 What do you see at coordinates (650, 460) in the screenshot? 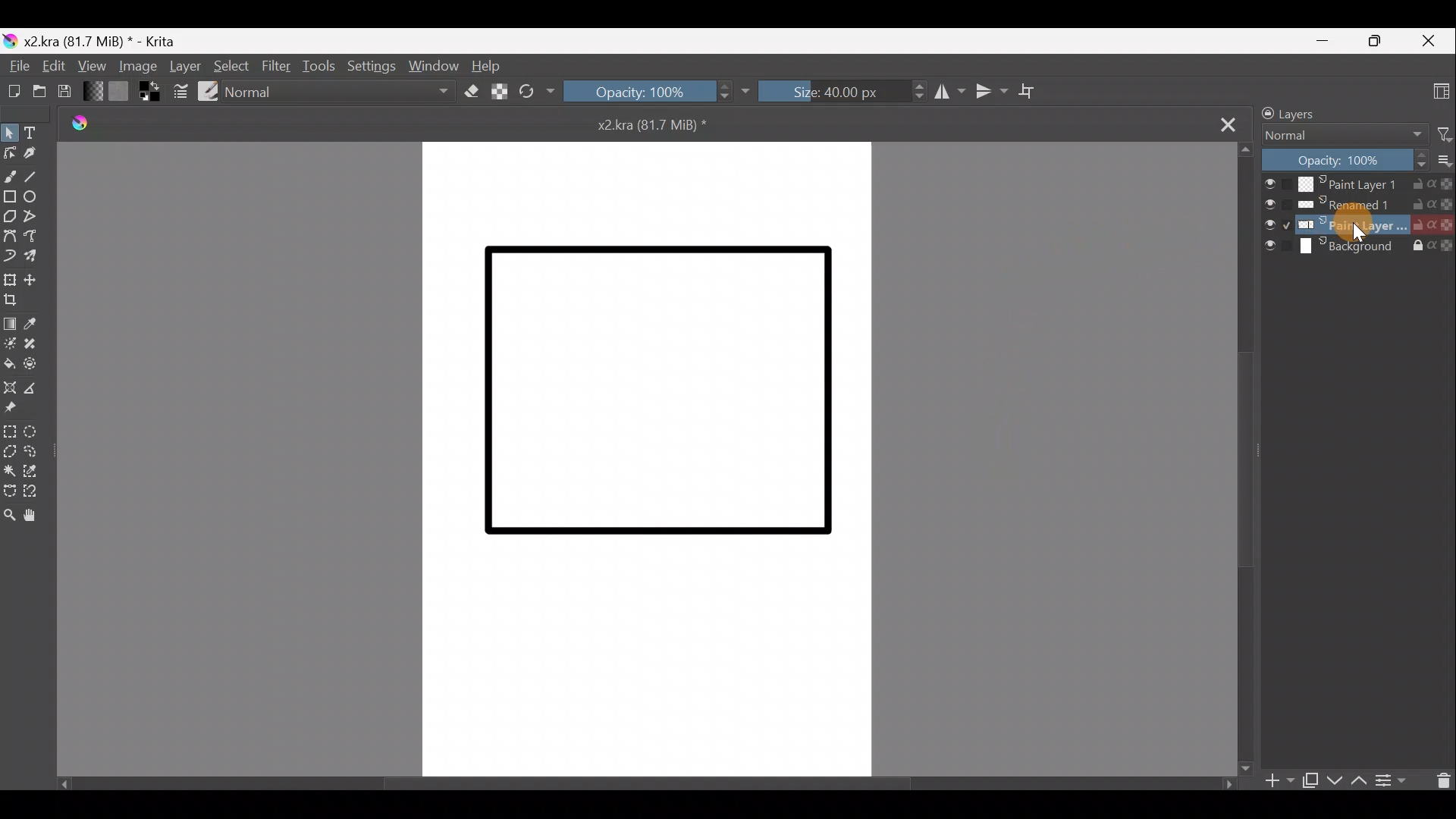
I see `Canvas` at bounding box center [650, 460].